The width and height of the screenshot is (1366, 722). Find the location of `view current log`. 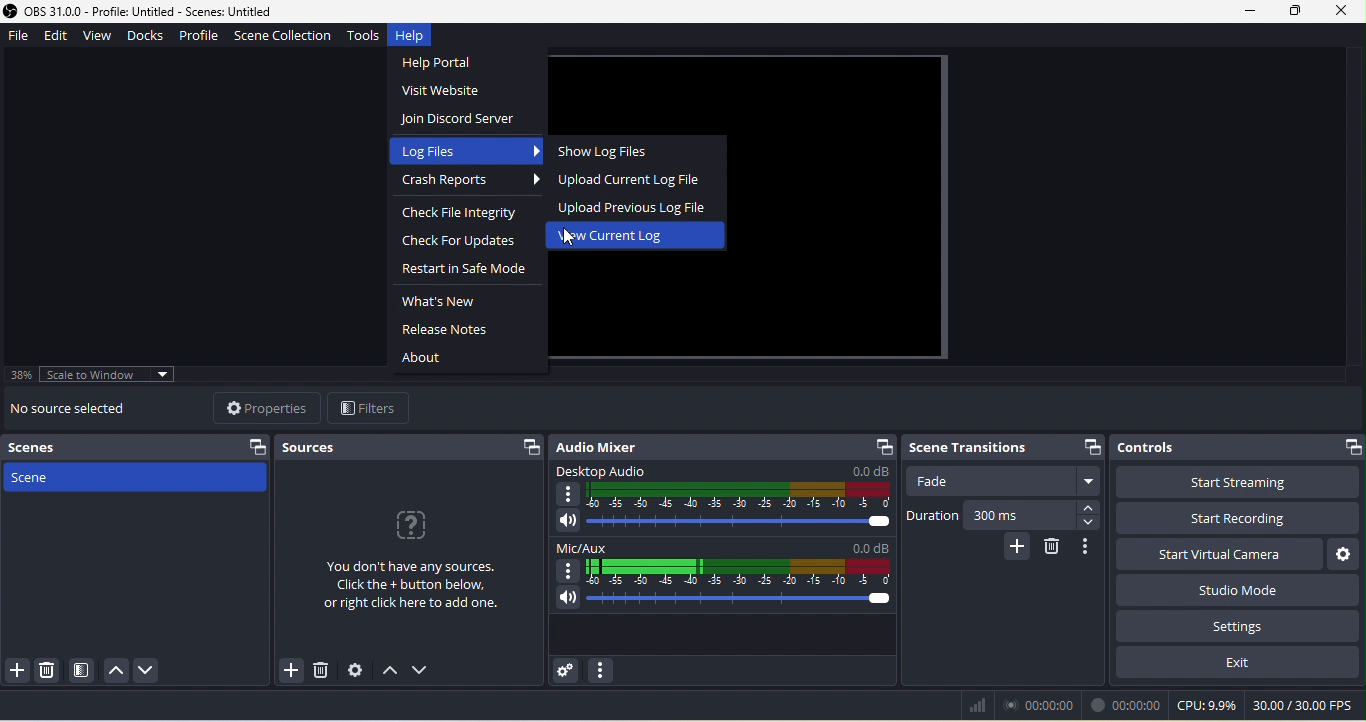

view current log is located at coordinates (617, 237).